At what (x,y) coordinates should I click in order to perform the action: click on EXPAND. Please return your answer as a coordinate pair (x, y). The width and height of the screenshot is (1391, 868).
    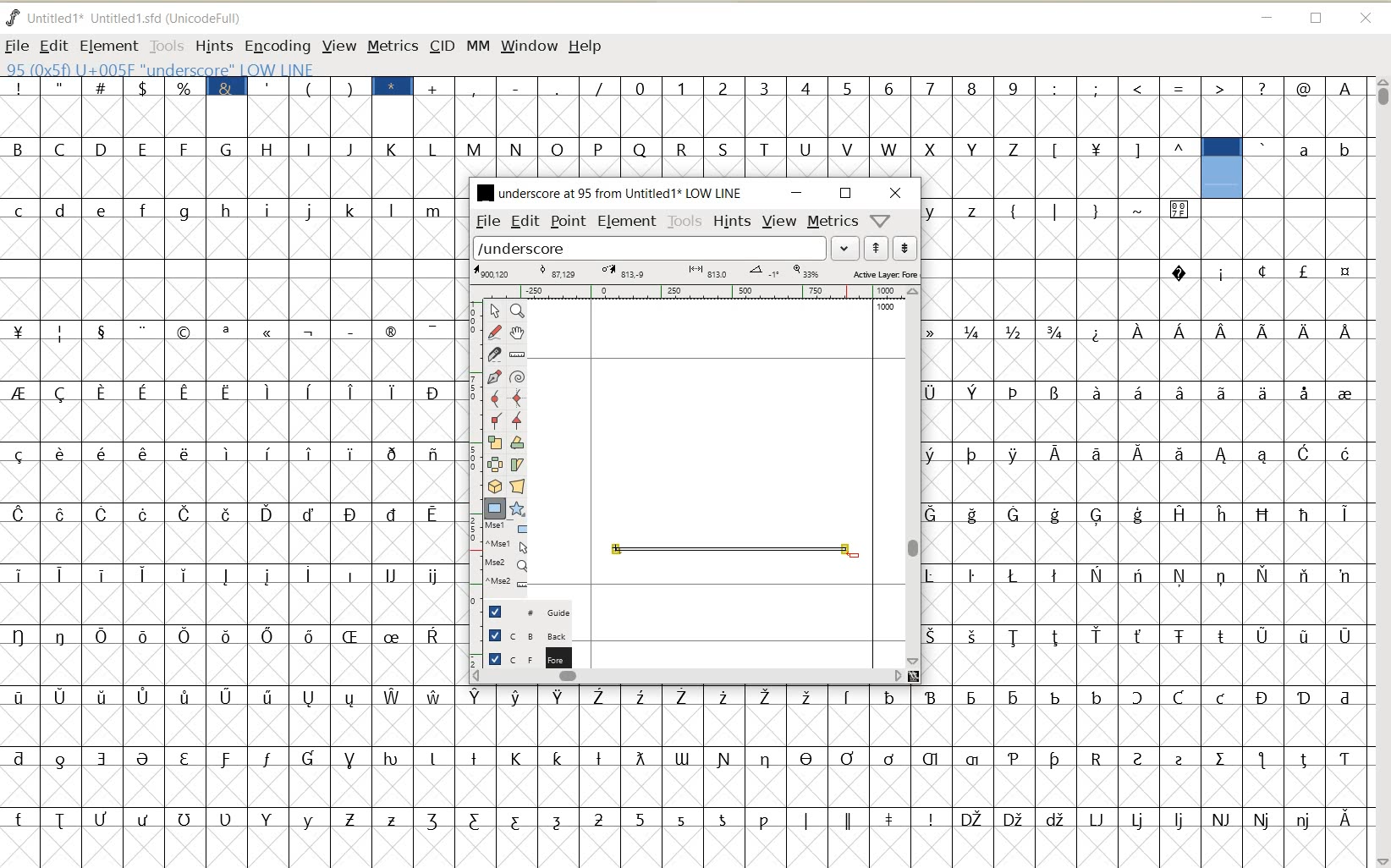
    Looking at the image, I should click on (846, 249).